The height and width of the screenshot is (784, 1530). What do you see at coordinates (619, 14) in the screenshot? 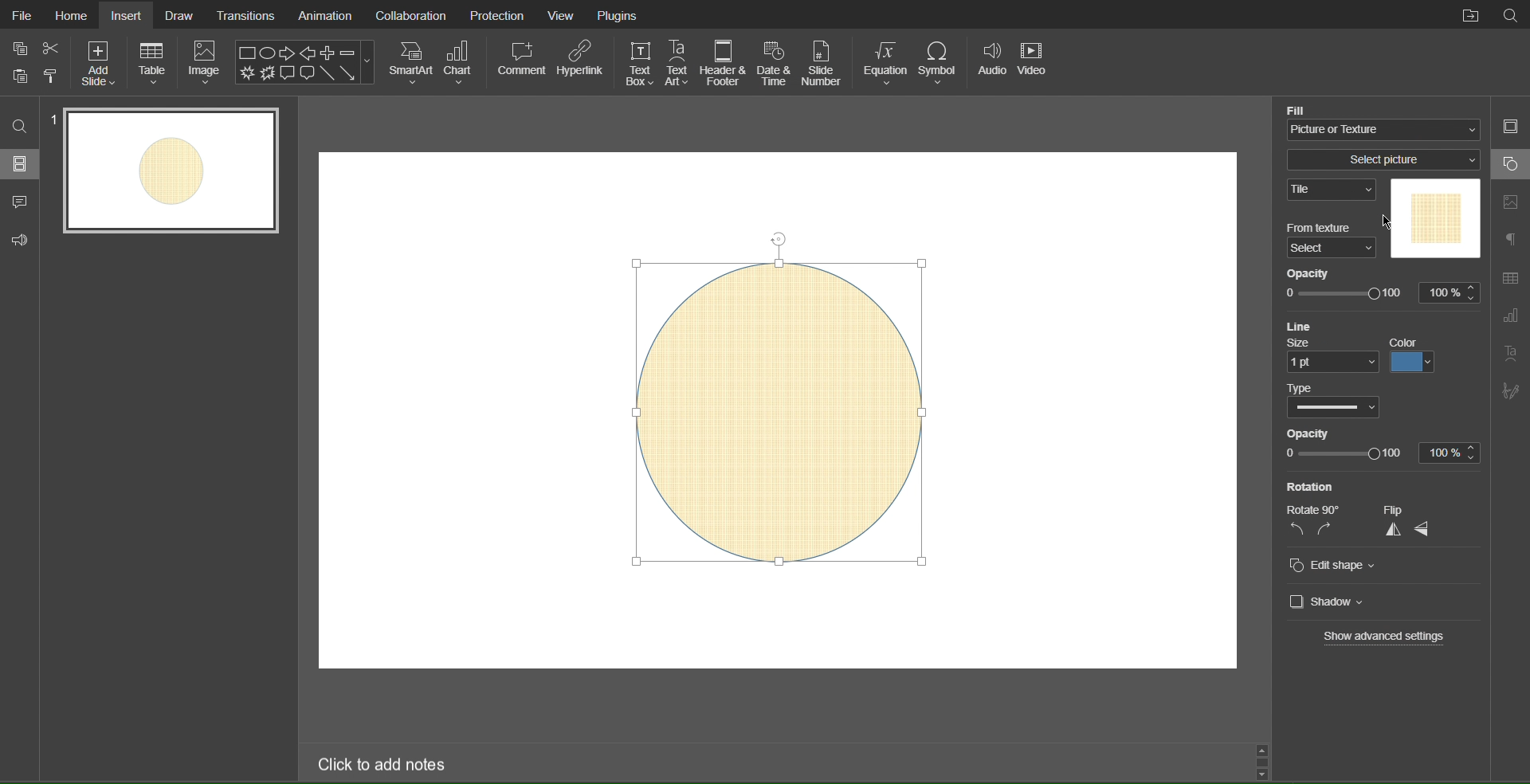
I see `Plugins` at bounding box center [619, 14].